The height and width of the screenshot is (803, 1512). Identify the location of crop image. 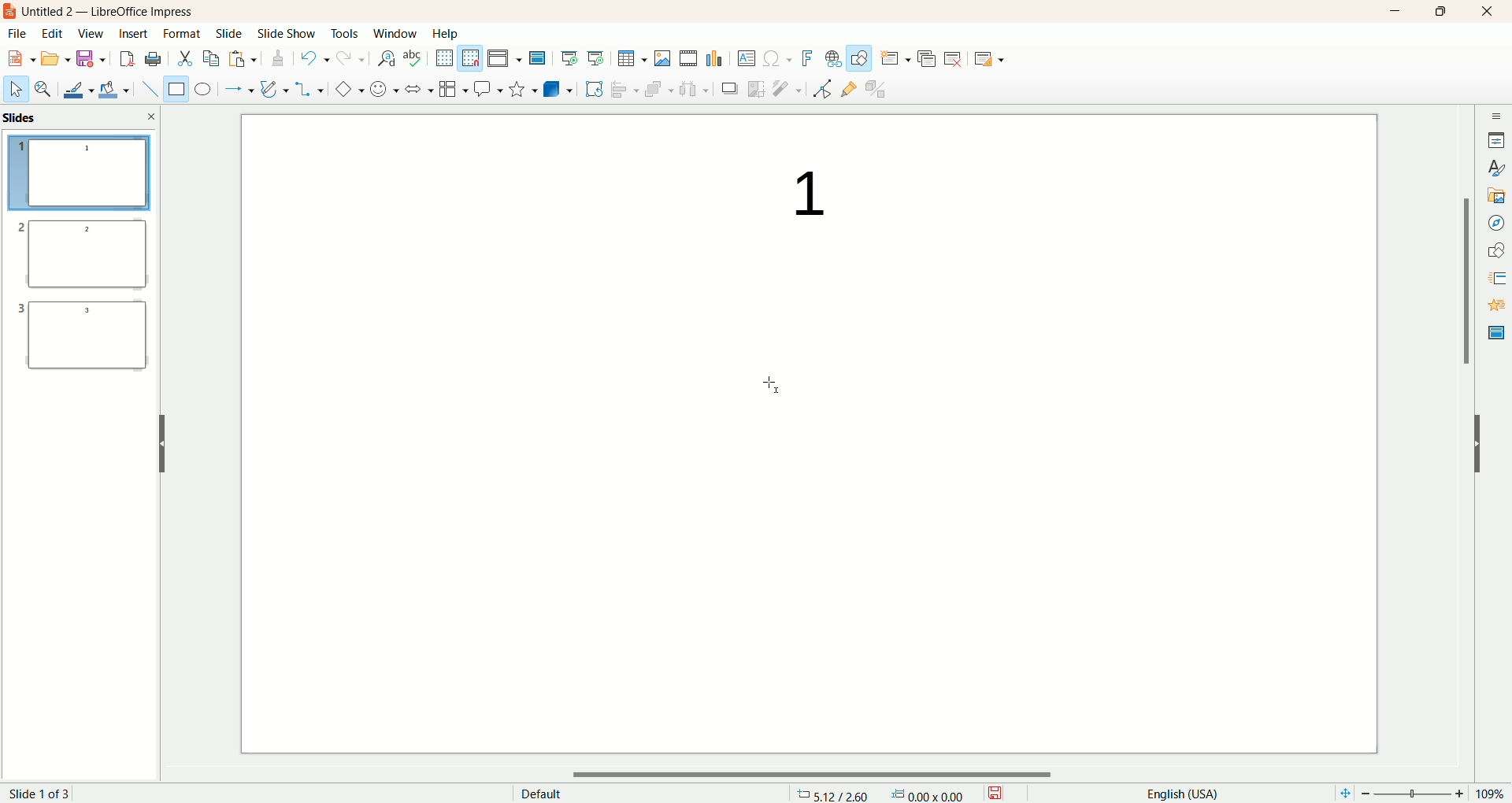
(757, 88).